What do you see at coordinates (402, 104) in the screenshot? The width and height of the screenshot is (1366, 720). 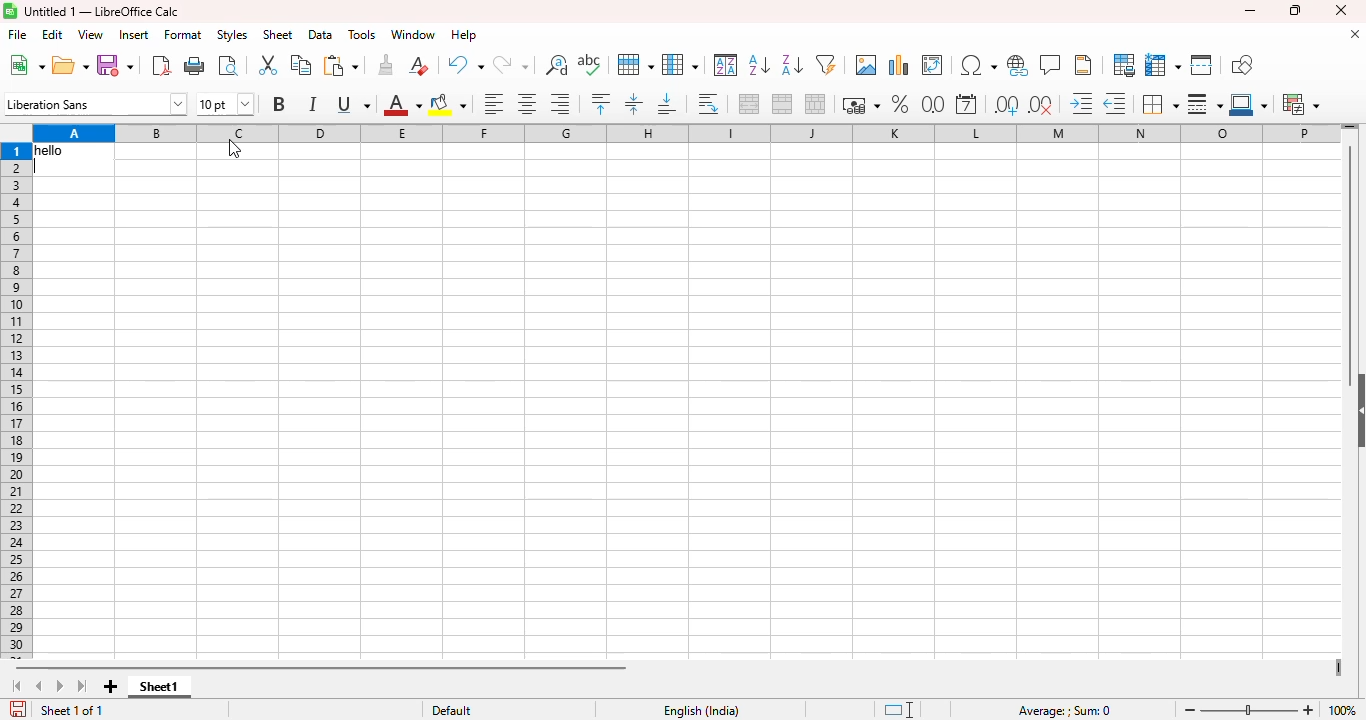 I see `font color` at bounding box center [402, 104].